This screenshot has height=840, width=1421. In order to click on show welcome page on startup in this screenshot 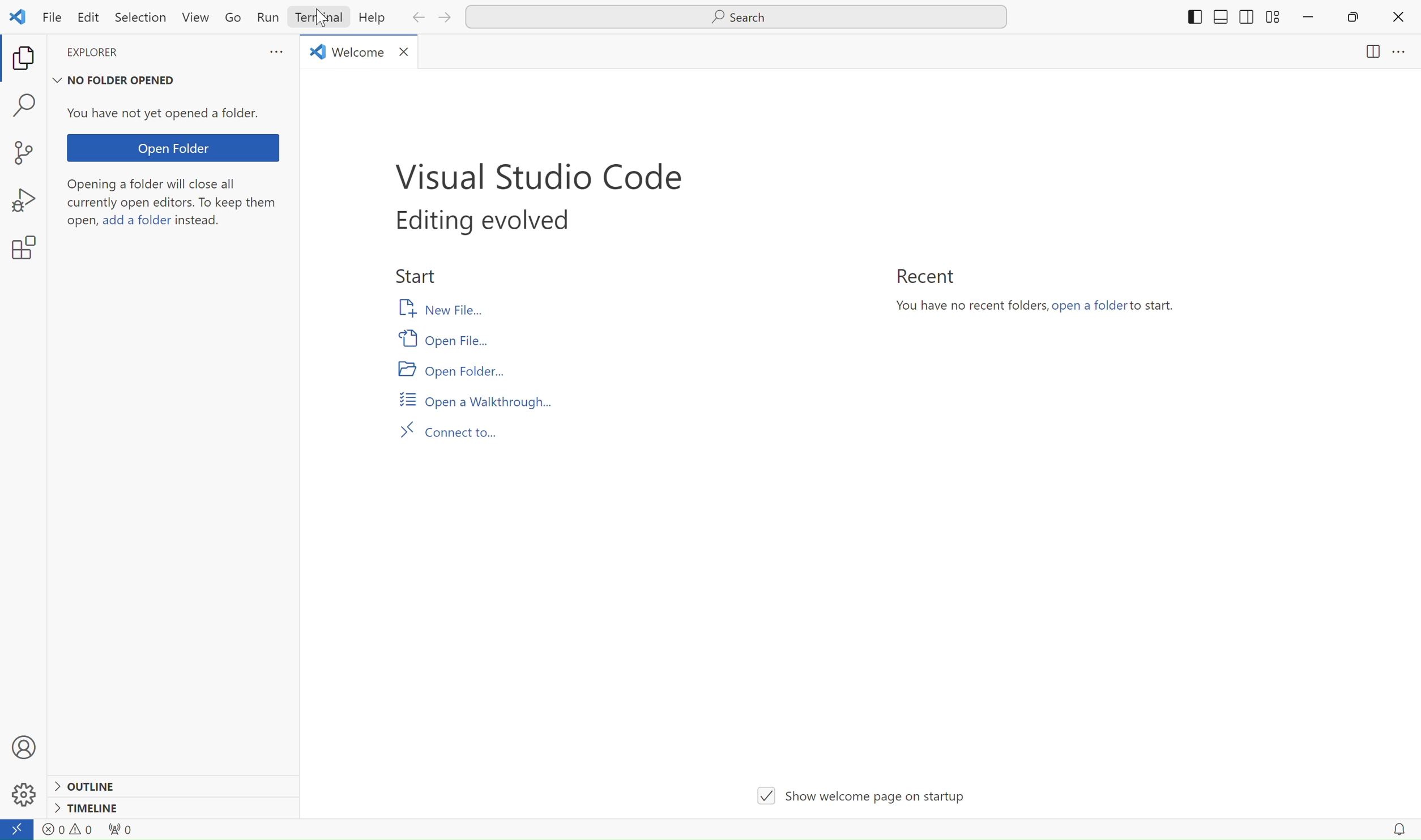, I will do `click(859, 786)`.